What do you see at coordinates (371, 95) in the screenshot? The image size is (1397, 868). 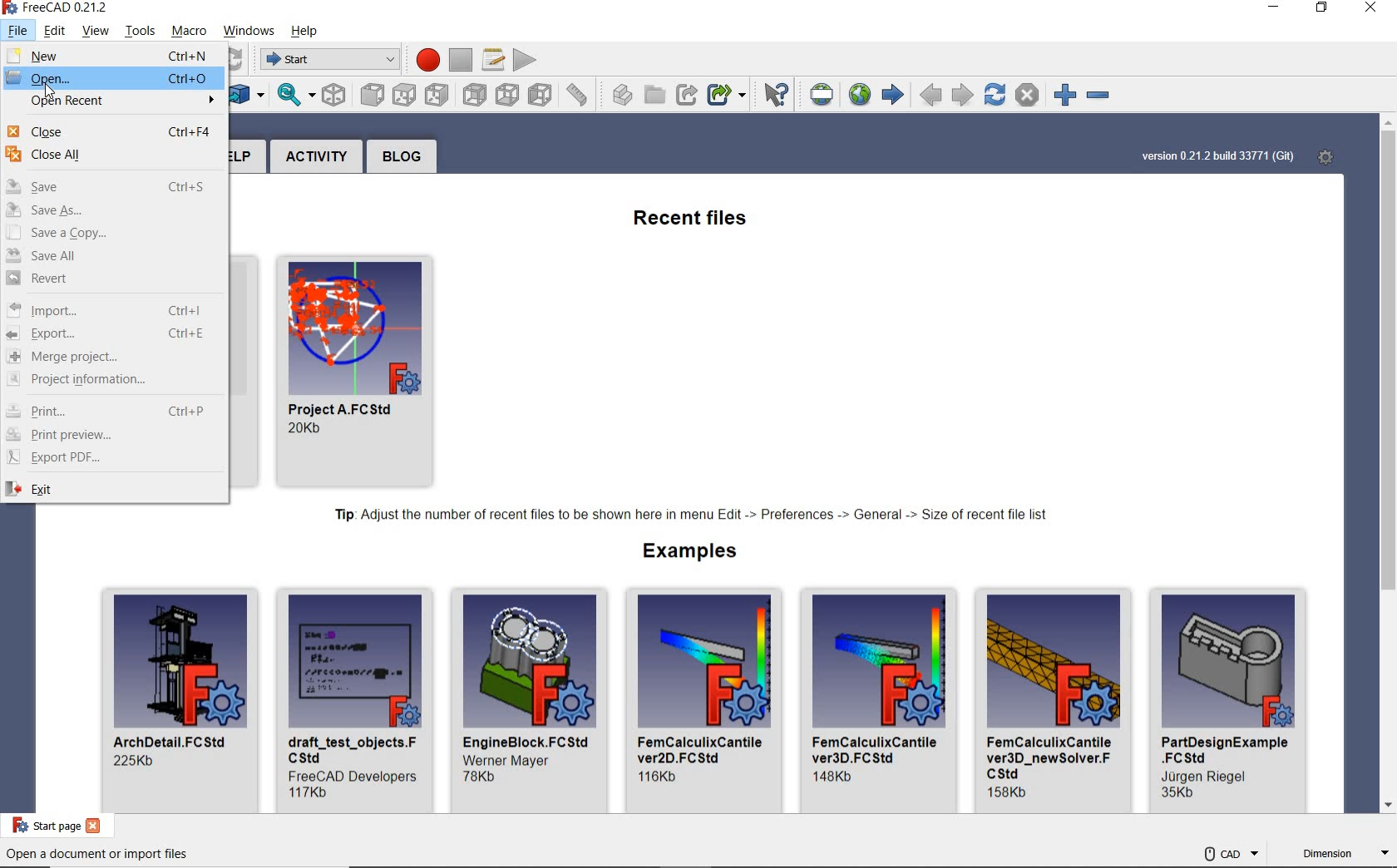 I see `FRONT` at bounding box center [371, 95].